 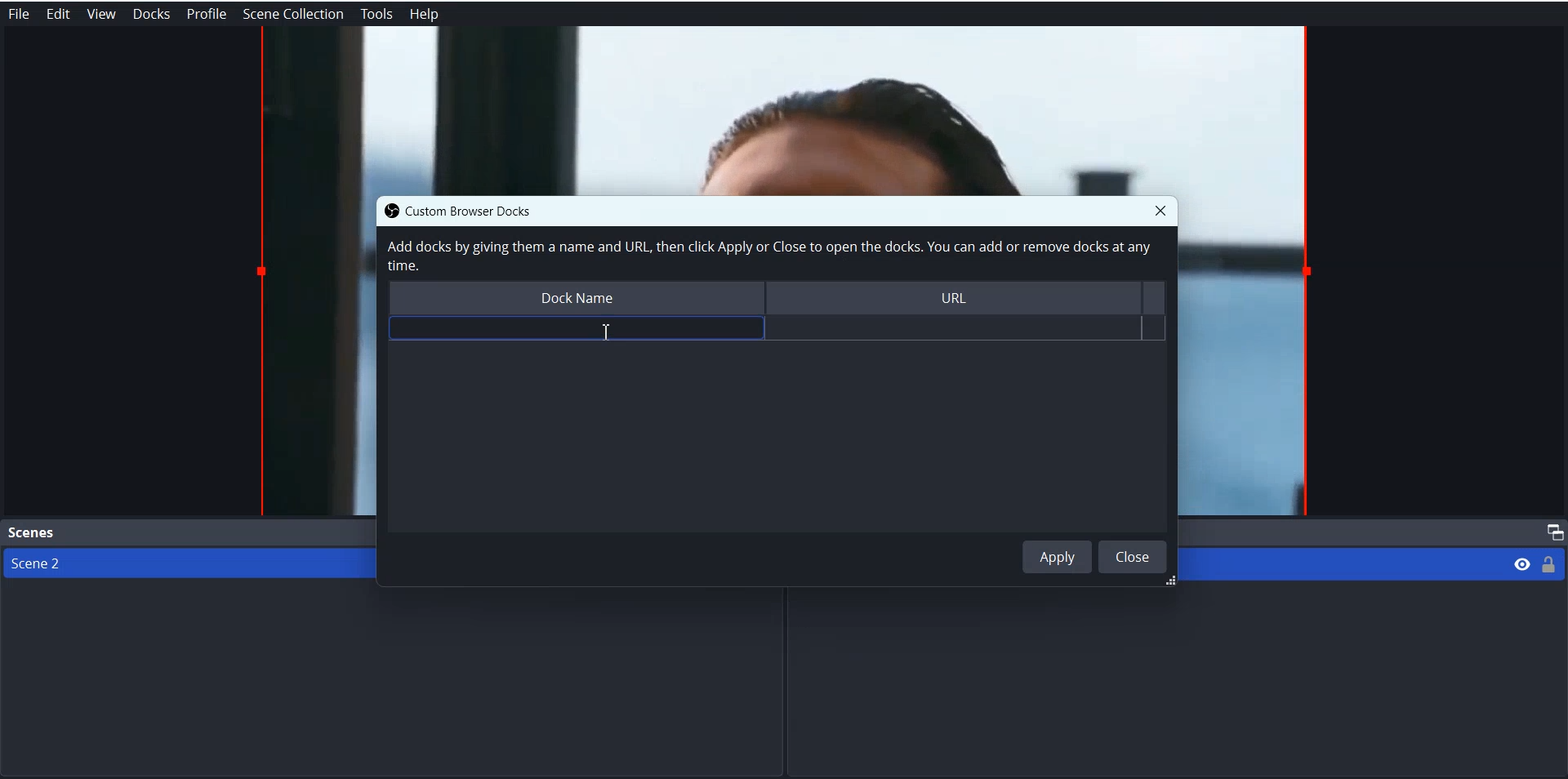 I want to click on Tools, so click(x=376, y=15).